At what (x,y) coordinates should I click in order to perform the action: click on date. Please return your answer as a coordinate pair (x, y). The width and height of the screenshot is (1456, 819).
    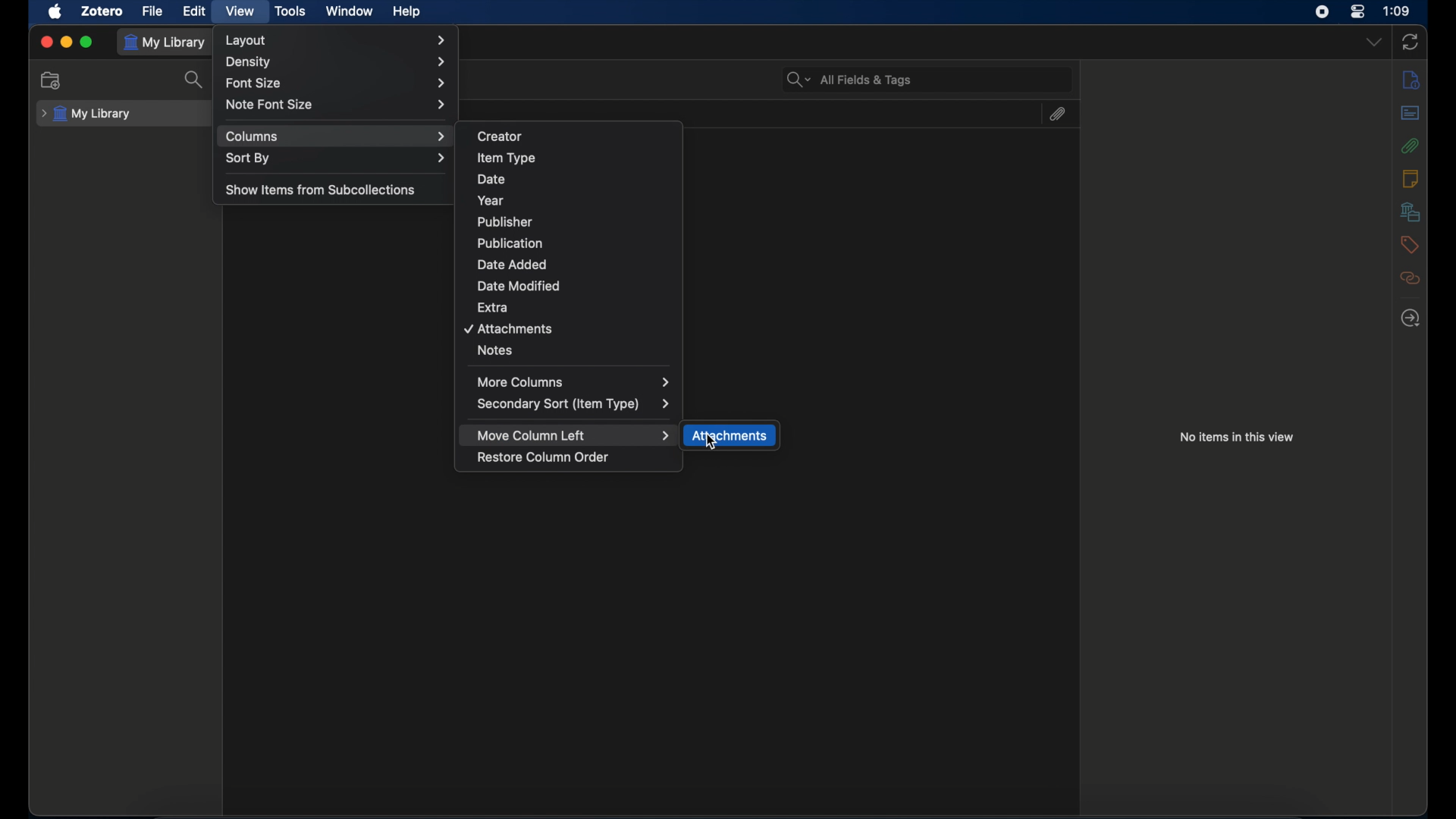
    Looking at the image, I should click on (492, 180).